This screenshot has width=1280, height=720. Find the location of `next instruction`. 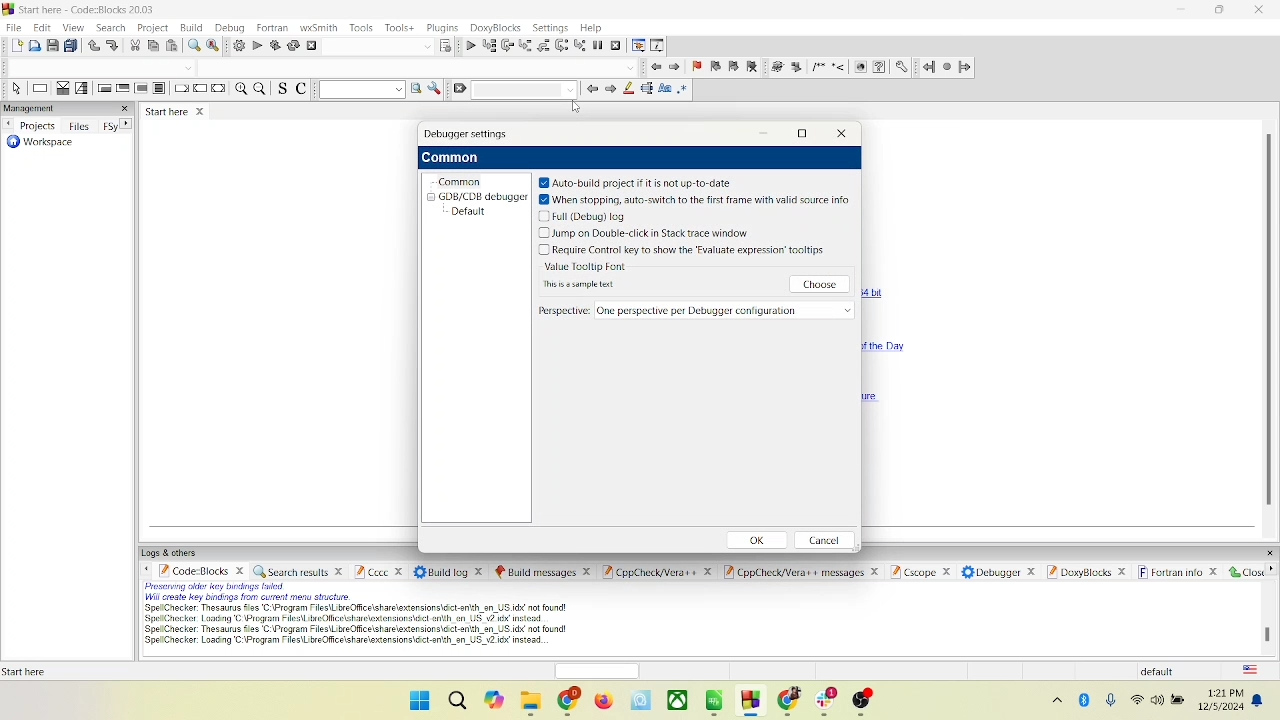

next instruction is located at coordinates (563, 45).